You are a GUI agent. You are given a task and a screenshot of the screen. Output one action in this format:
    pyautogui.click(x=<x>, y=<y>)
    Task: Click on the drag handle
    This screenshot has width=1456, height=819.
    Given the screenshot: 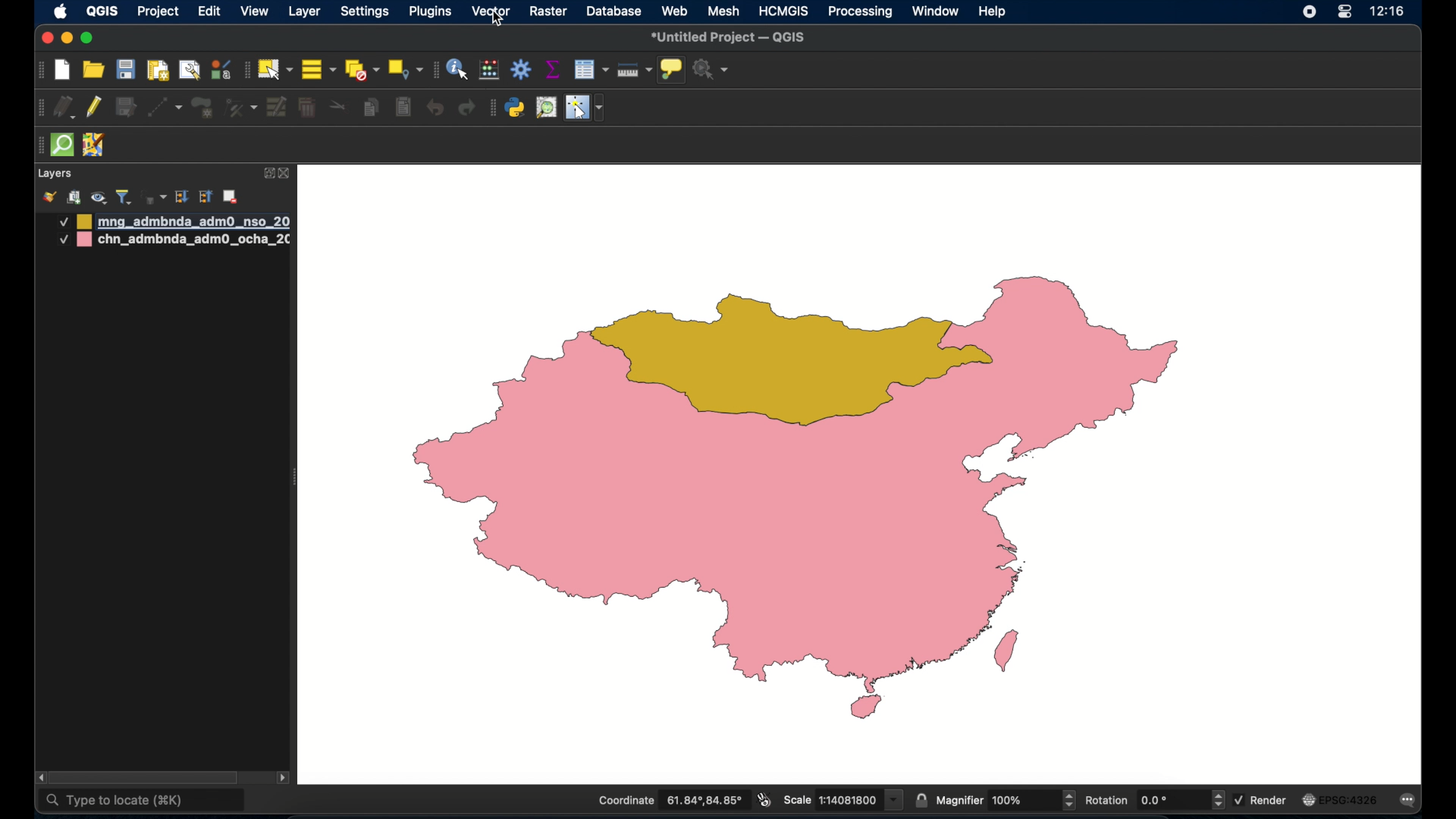 What is the action you would take?
    pyautogui.click(x=36, y=146)
    